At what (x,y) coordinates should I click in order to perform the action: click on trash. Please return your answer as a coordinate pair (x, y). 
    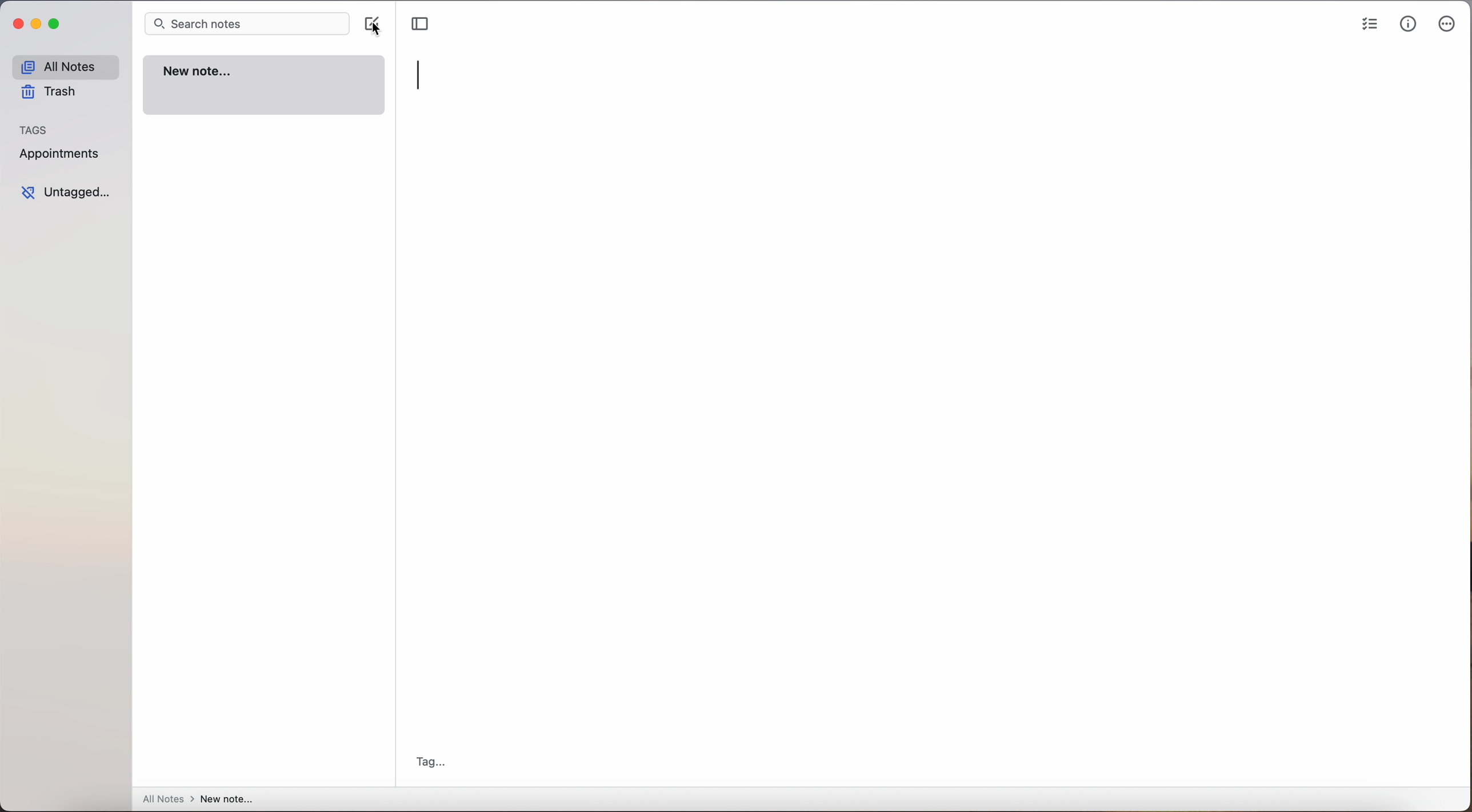
    Looking at the image, I should click on (54, 91).